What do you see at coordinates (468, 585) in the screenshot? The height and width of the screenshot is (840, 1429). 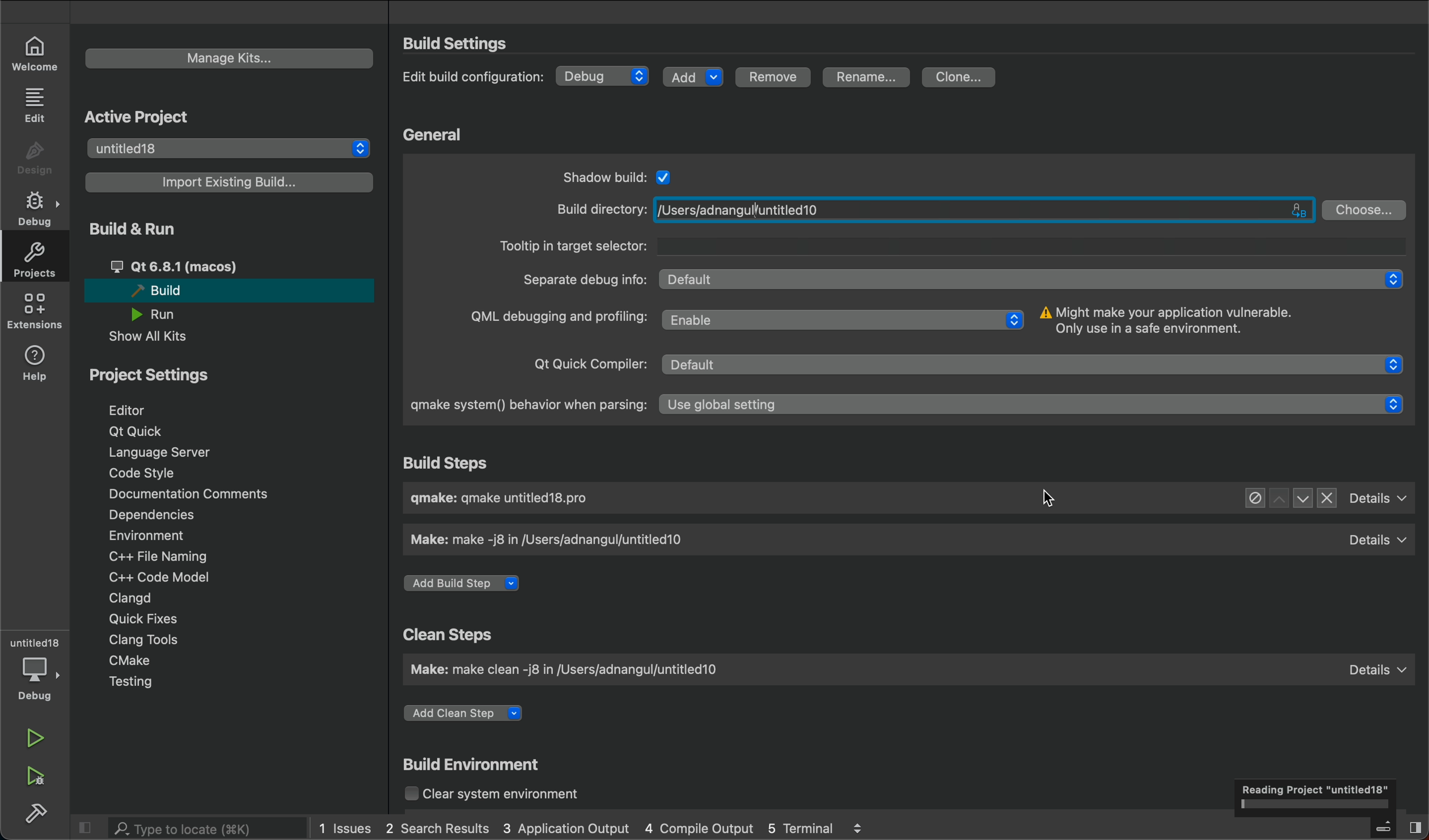 I see `add build step` at bounding box center [468, 585].